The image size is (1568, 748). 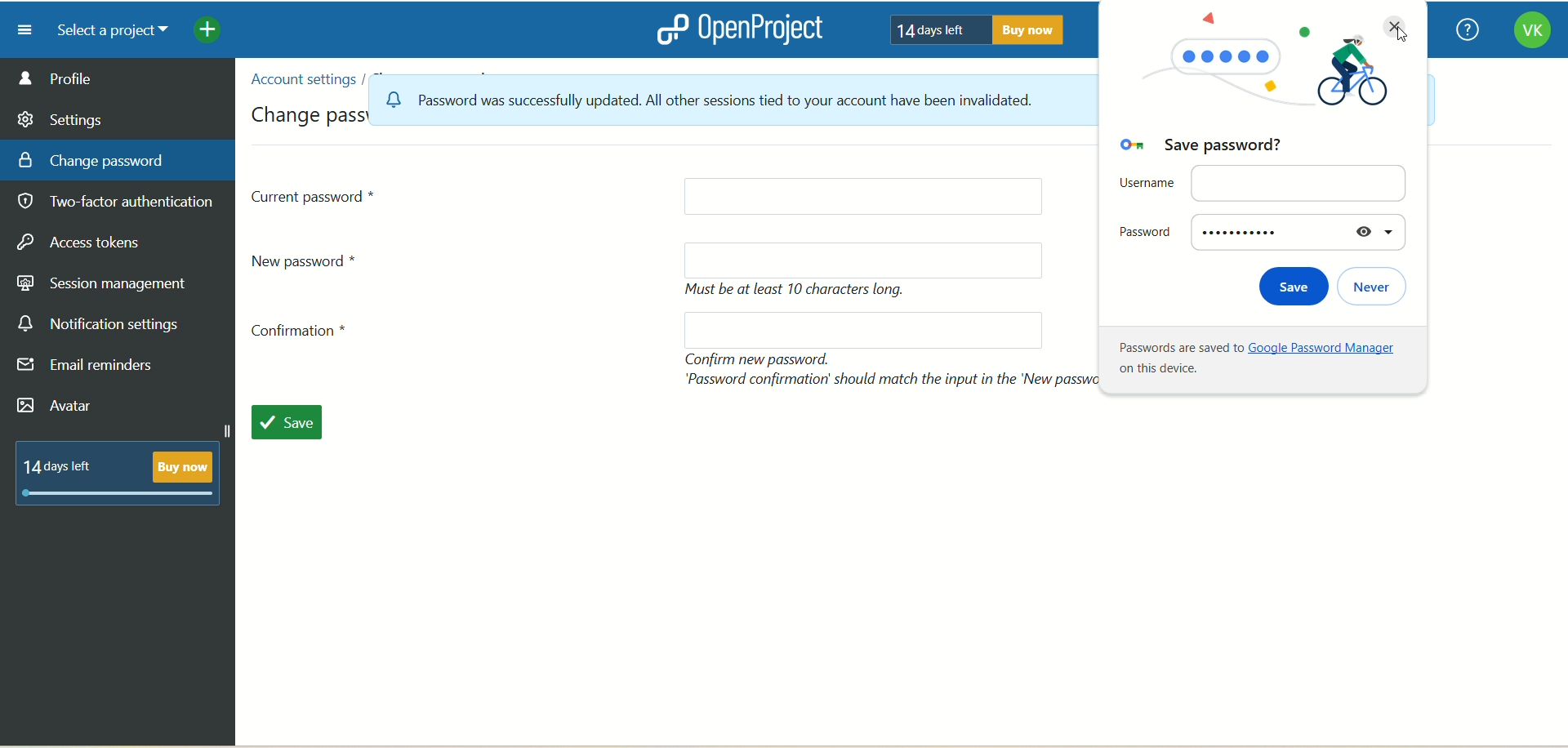 I want to click on session management, so click(x=104, y=281).